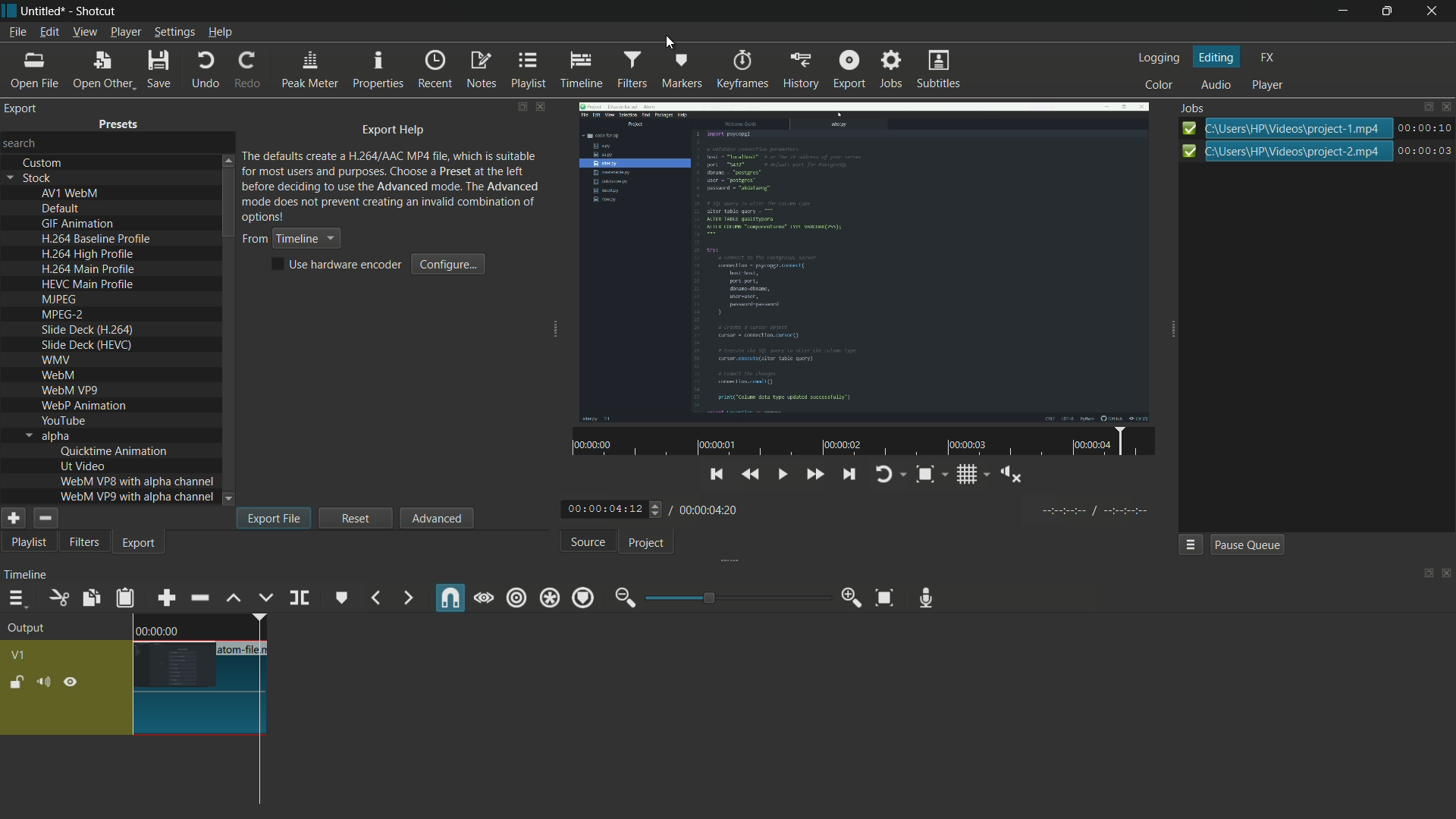  I want to click on export icon, so click(1426, 151).